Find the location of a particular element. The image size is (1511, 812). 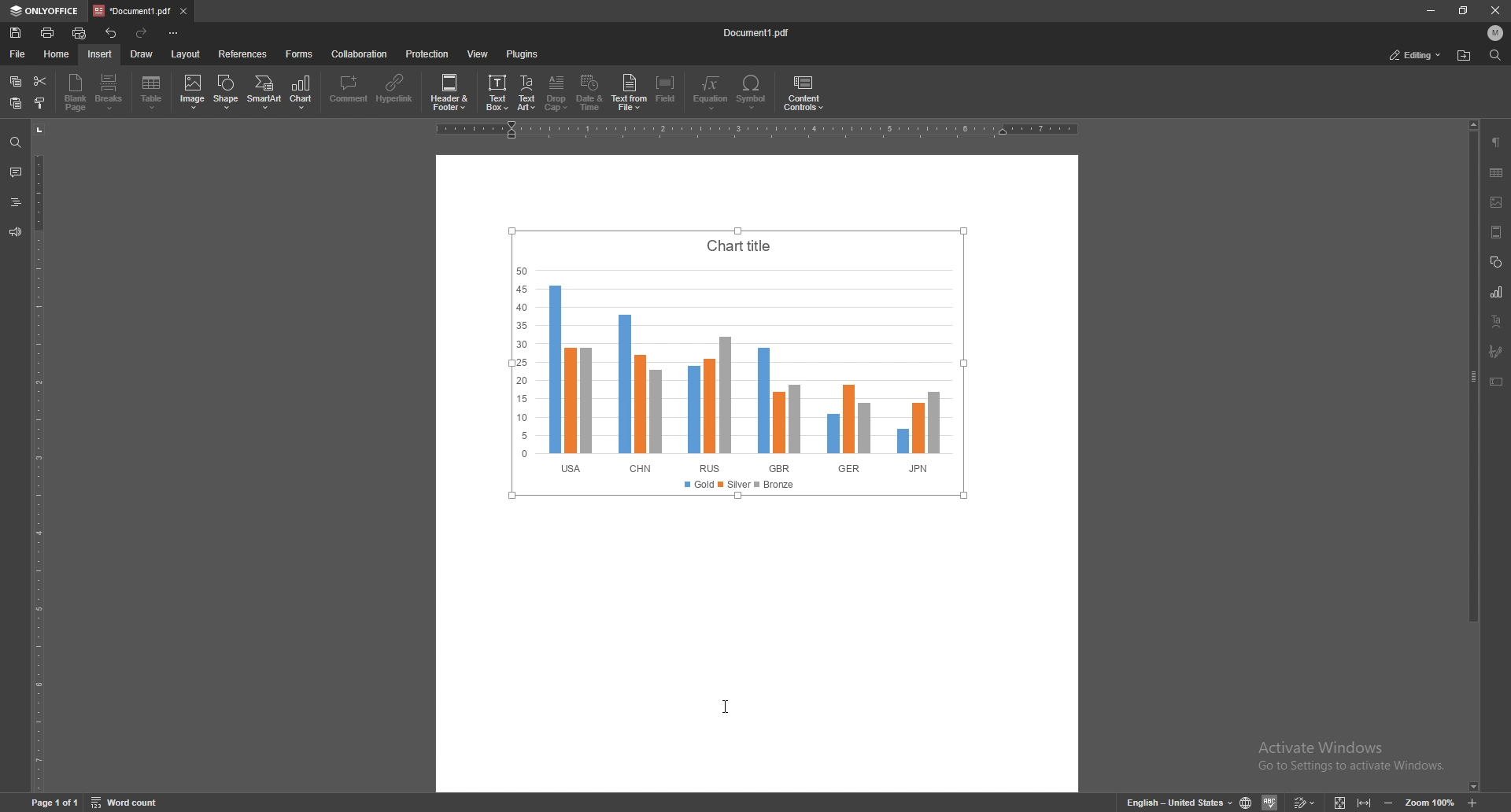

onlyoffice is located at coordinates (44, 11).